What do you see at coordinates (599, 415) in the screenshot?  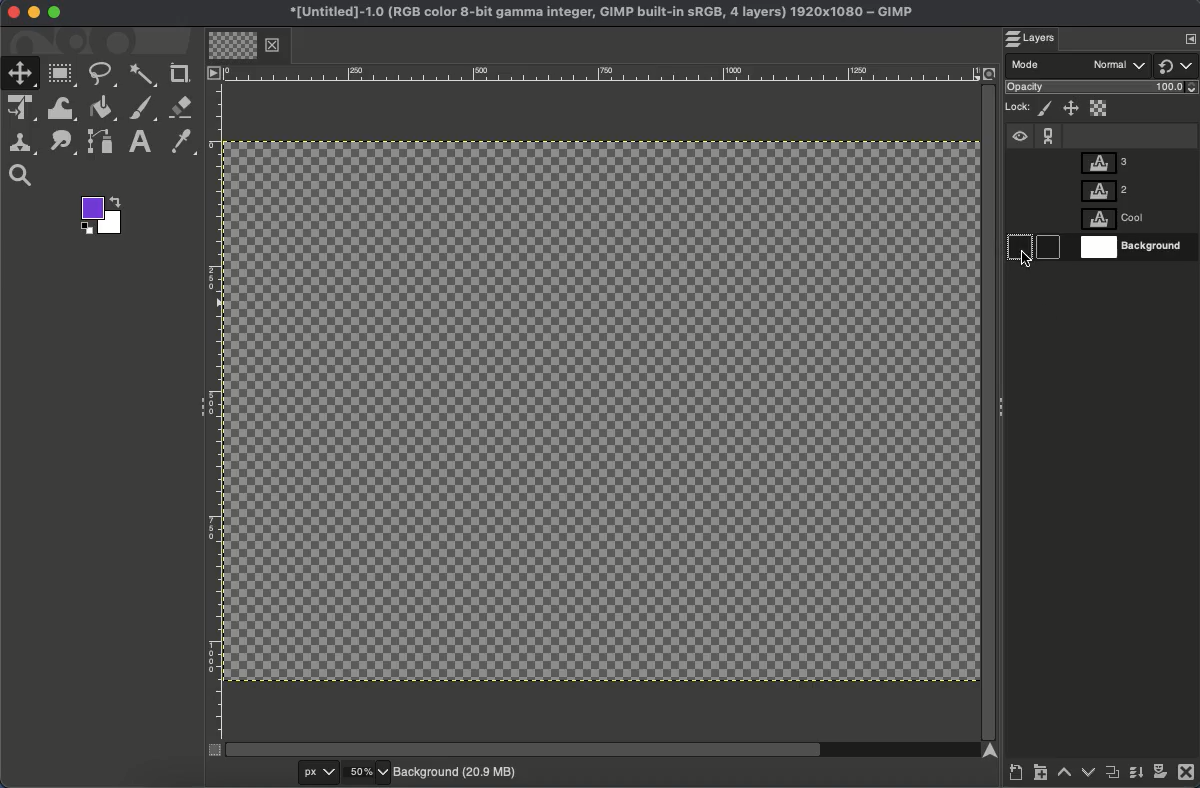 I see `No background` at bounding box center [599, 415].